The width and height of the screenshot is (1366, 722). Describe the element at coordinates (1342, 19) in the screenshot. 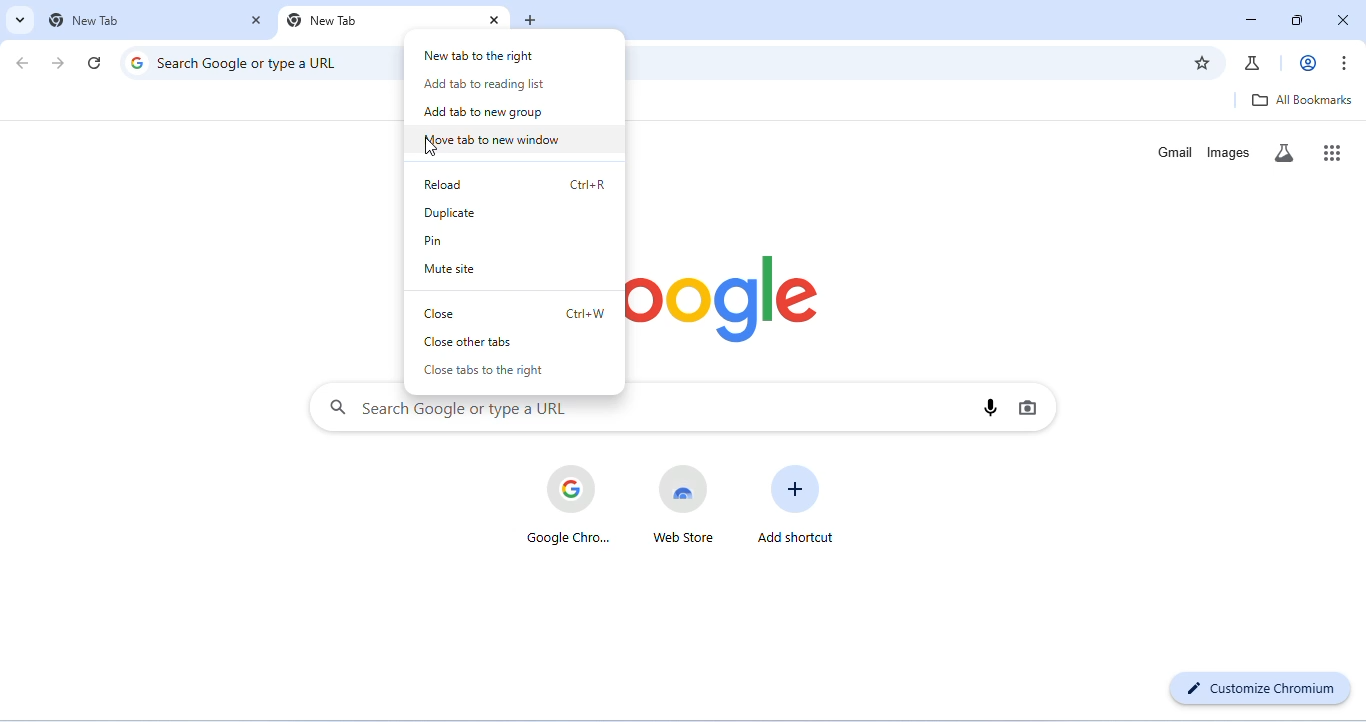

I see `close` at that location.